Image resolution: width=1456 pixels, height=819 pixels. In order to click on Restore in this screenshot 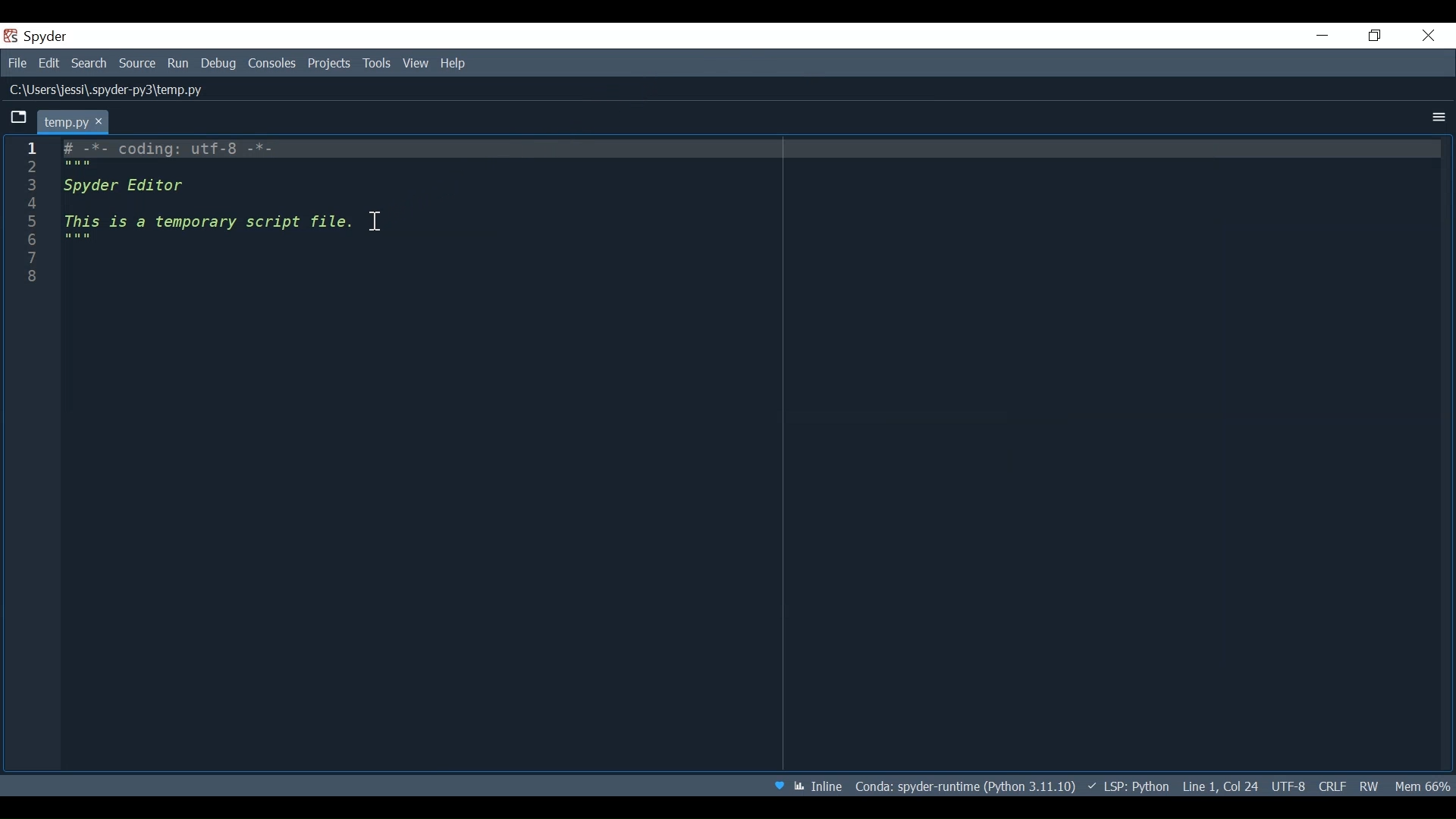, I will do `click(1373, 36)`.